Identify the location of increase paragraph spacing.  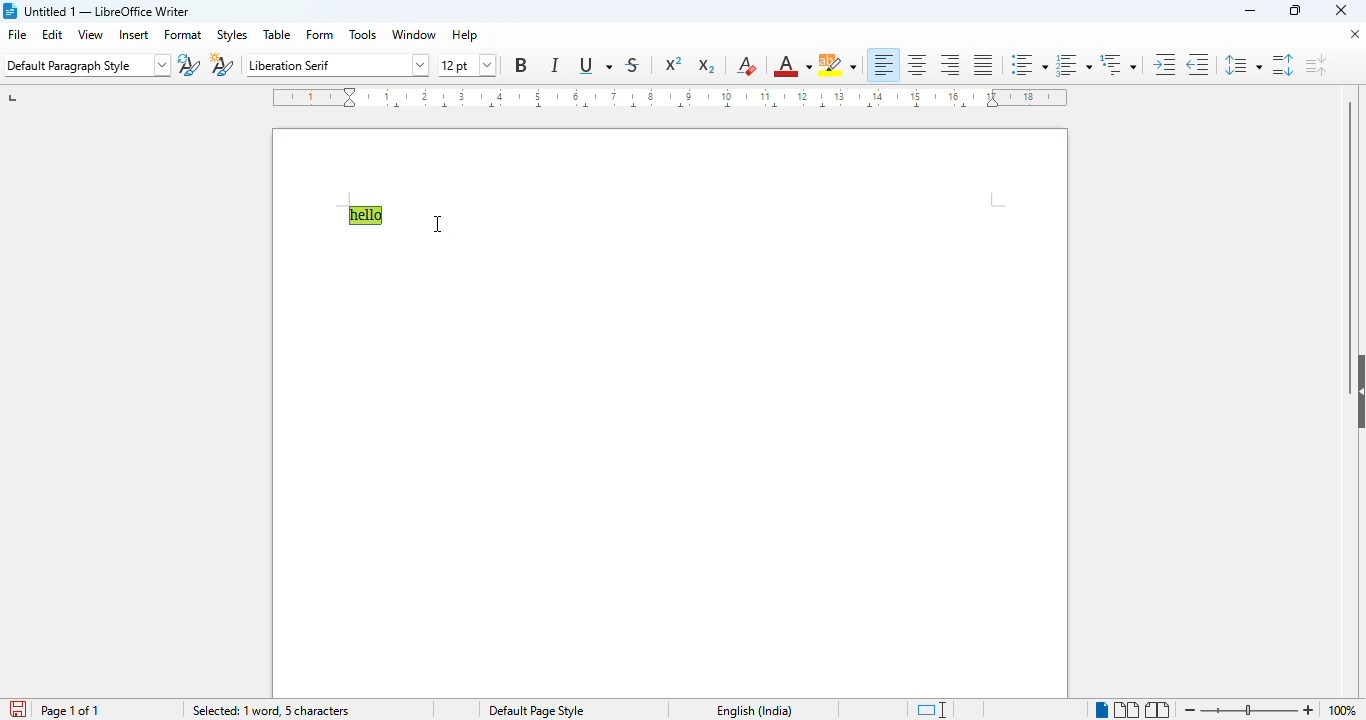
(1281, 65).